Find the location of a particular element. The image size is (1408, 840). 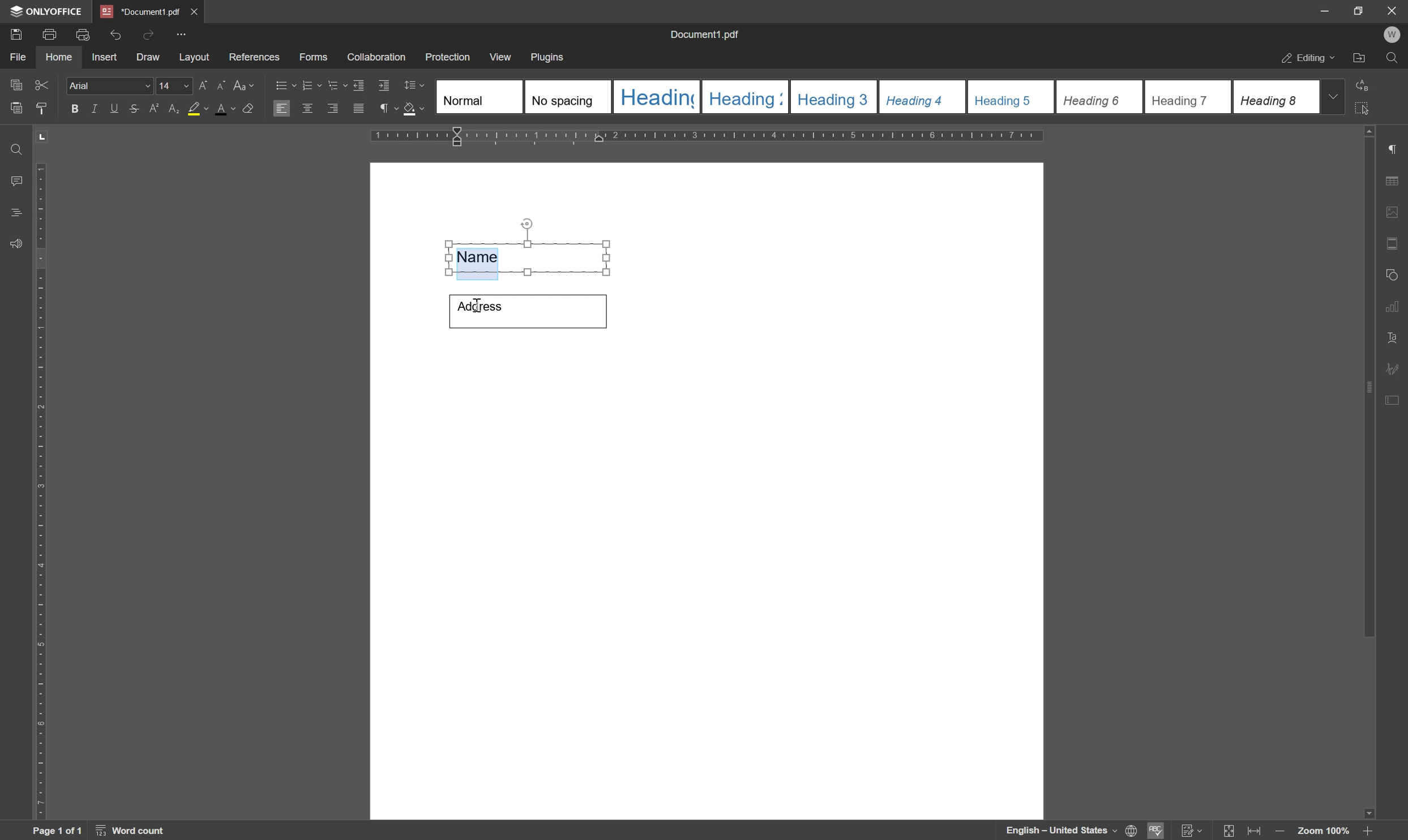

file is located at coordinates (16, 57).